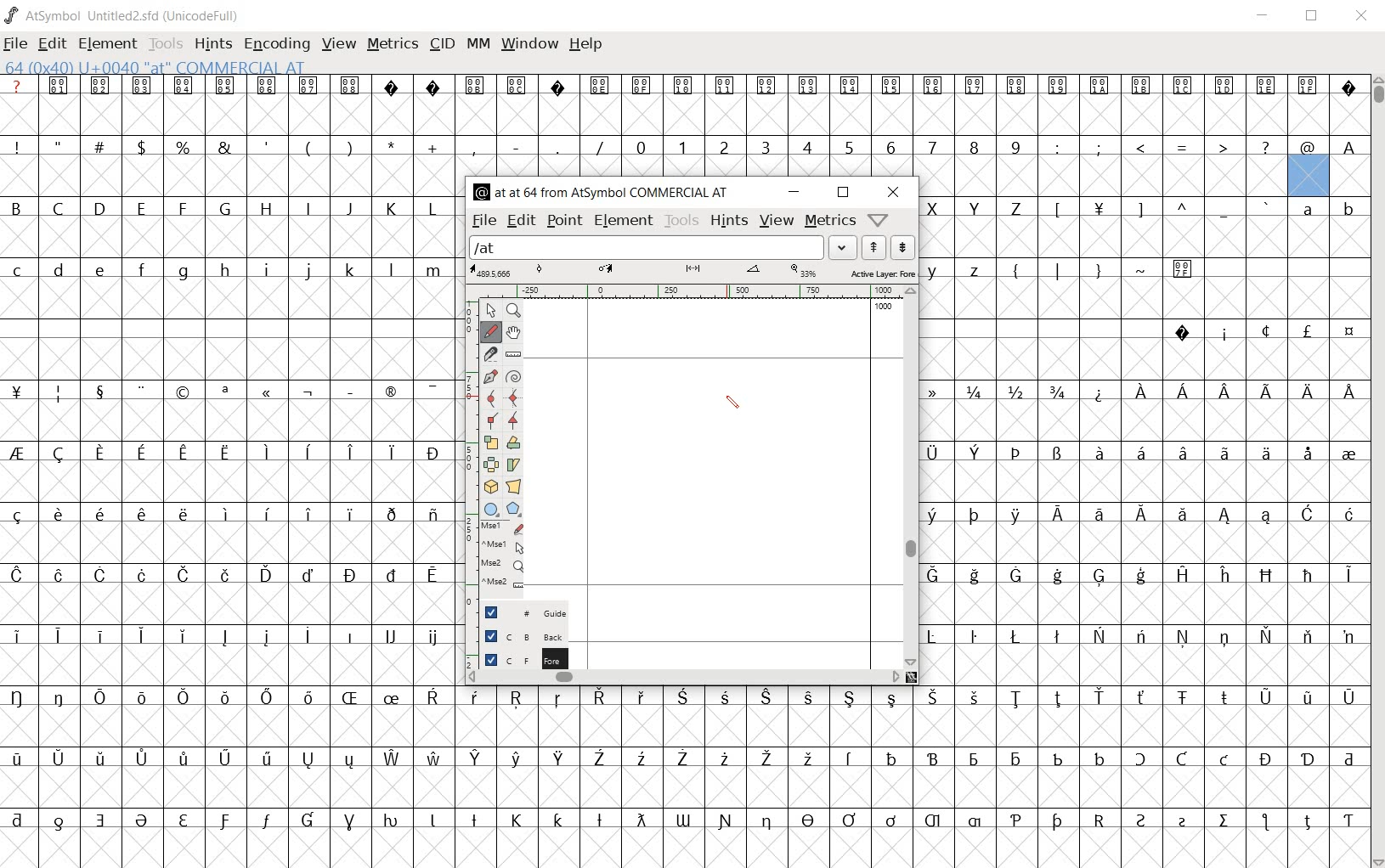 The height and width of the screenshot is (868, 1385). What do you see at coordinates (280, 46) in the screenshot?
I see `ENCODING` at bounding box center [280, 46].